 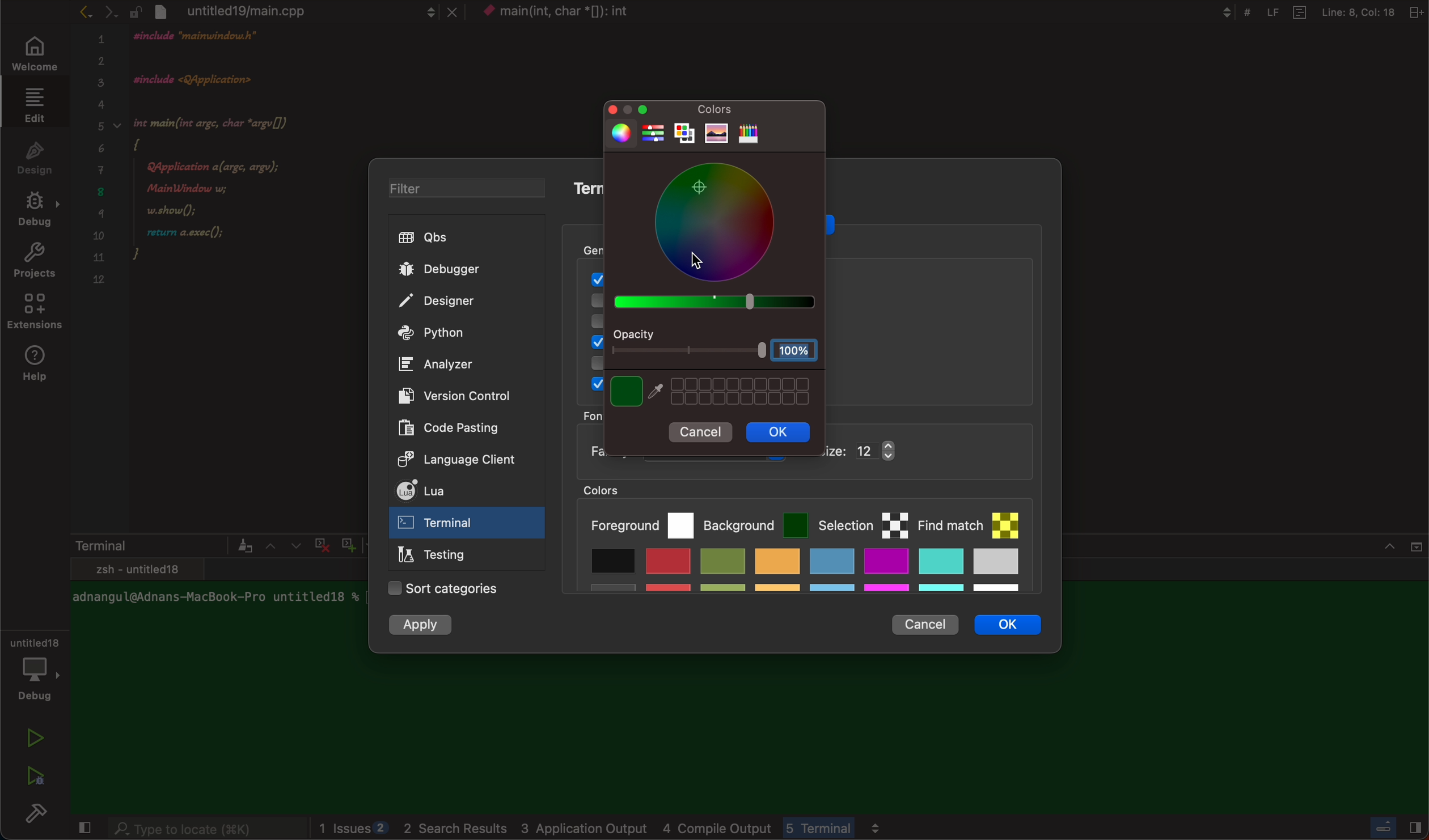 I want to click on lua, so click(x=452, y=493).